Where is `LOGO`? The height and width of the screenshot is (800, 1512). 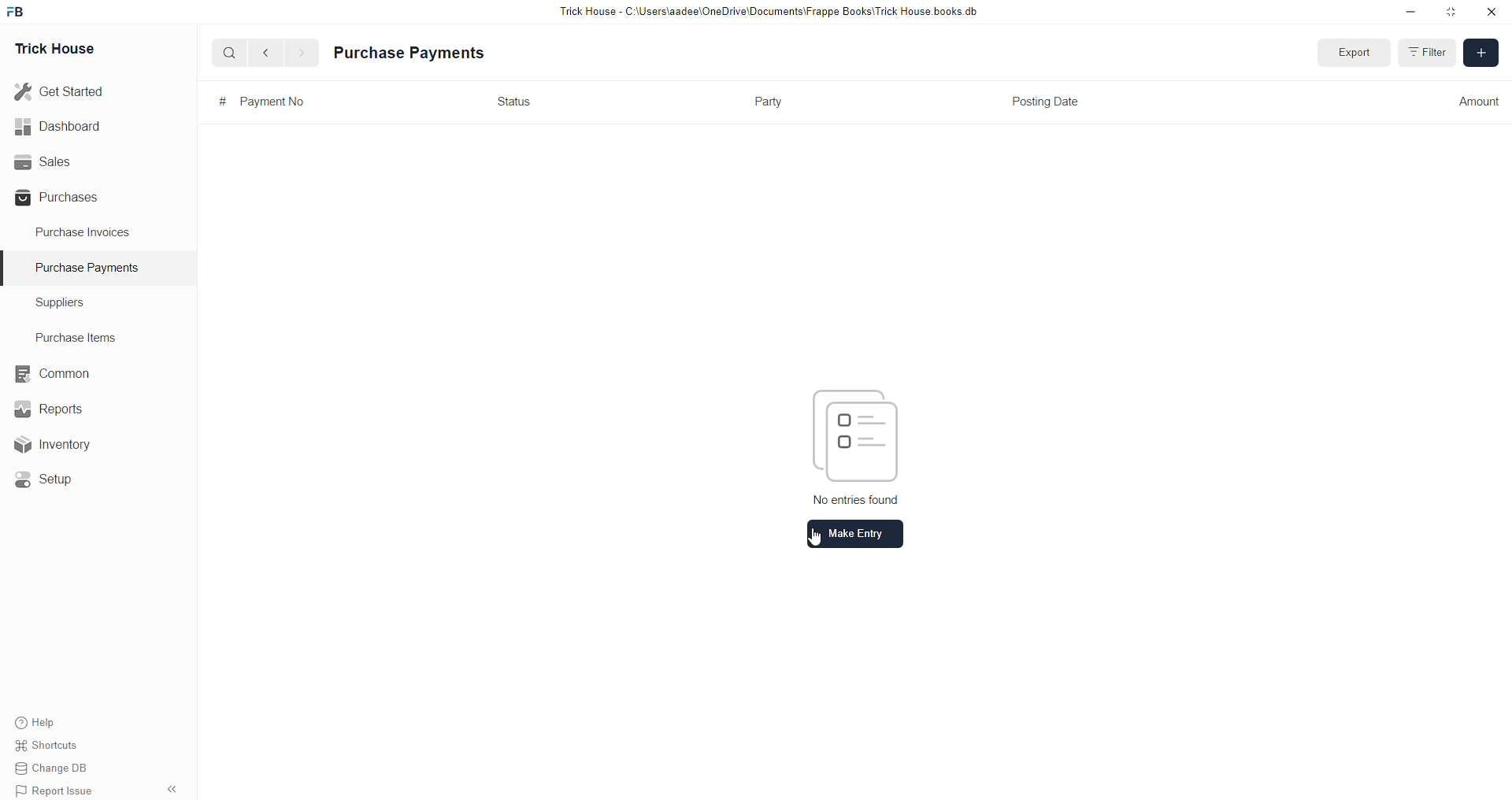 LOGO is located at coordinates (851, 435).